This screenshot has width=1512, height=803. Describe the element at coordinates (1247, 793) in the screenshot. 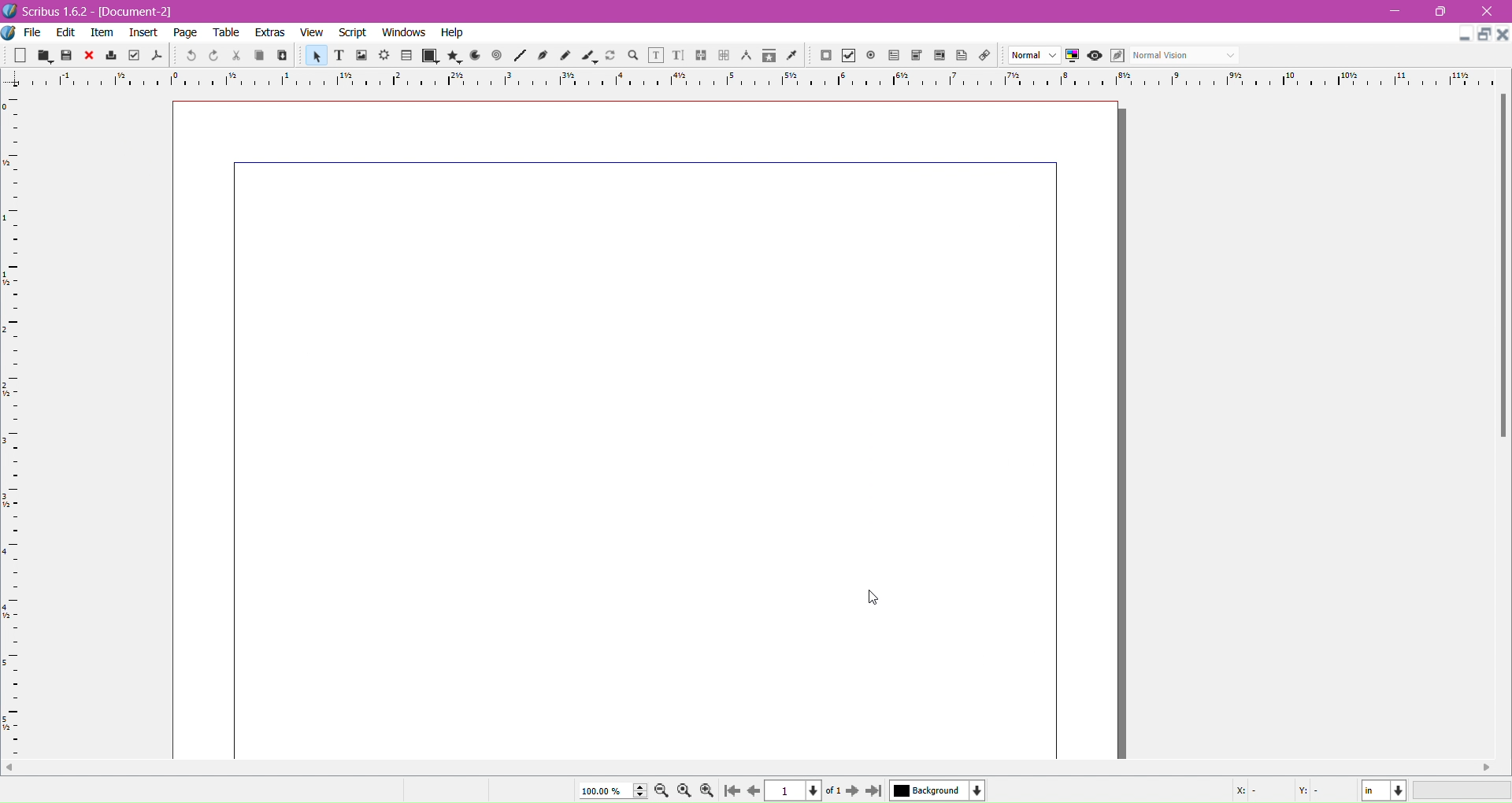

I see `X` at that location.